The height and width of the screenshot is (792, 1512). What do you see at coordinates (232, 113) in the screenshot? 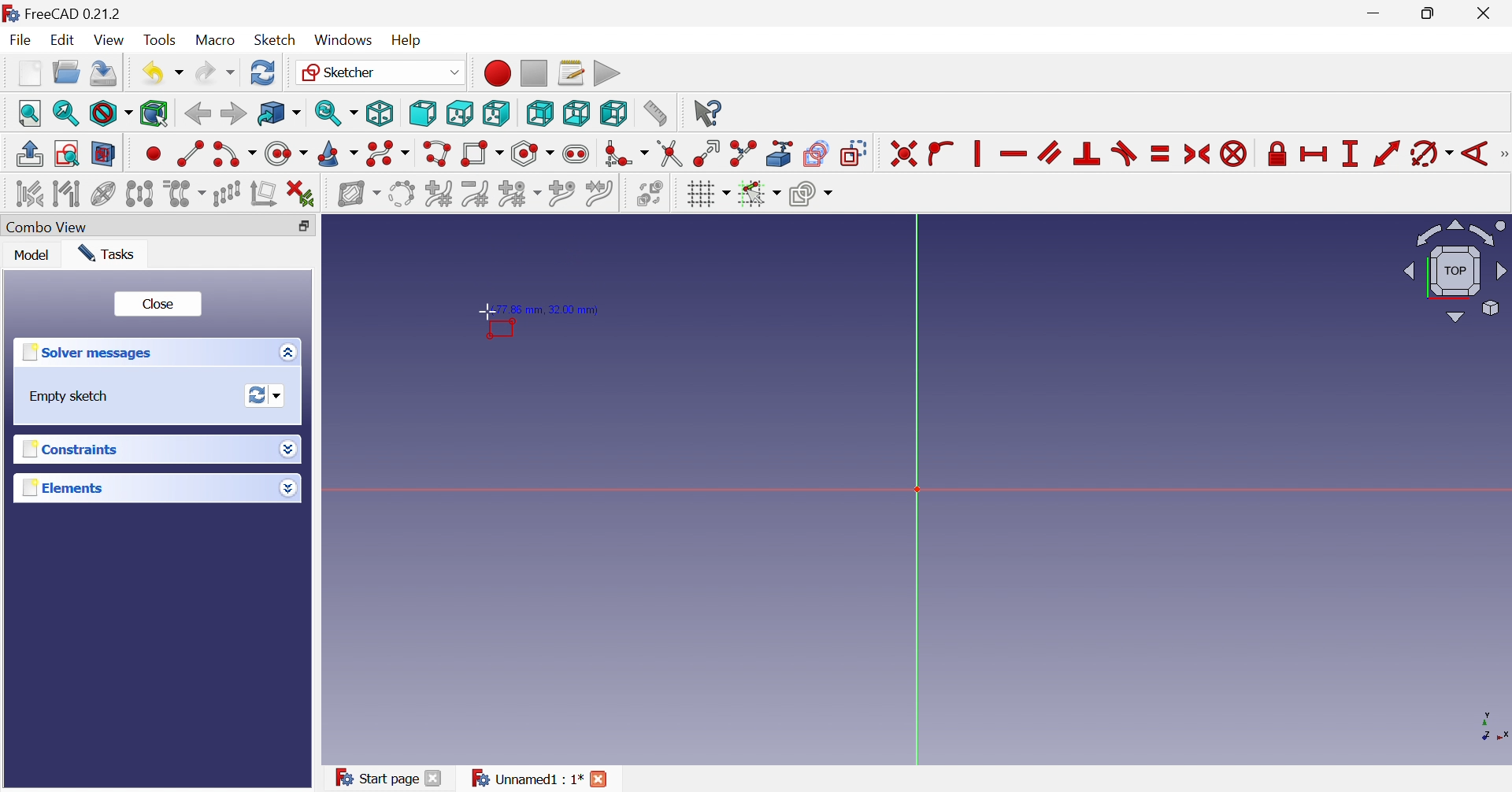
I see `Forward` at bounding box center [232, 113].